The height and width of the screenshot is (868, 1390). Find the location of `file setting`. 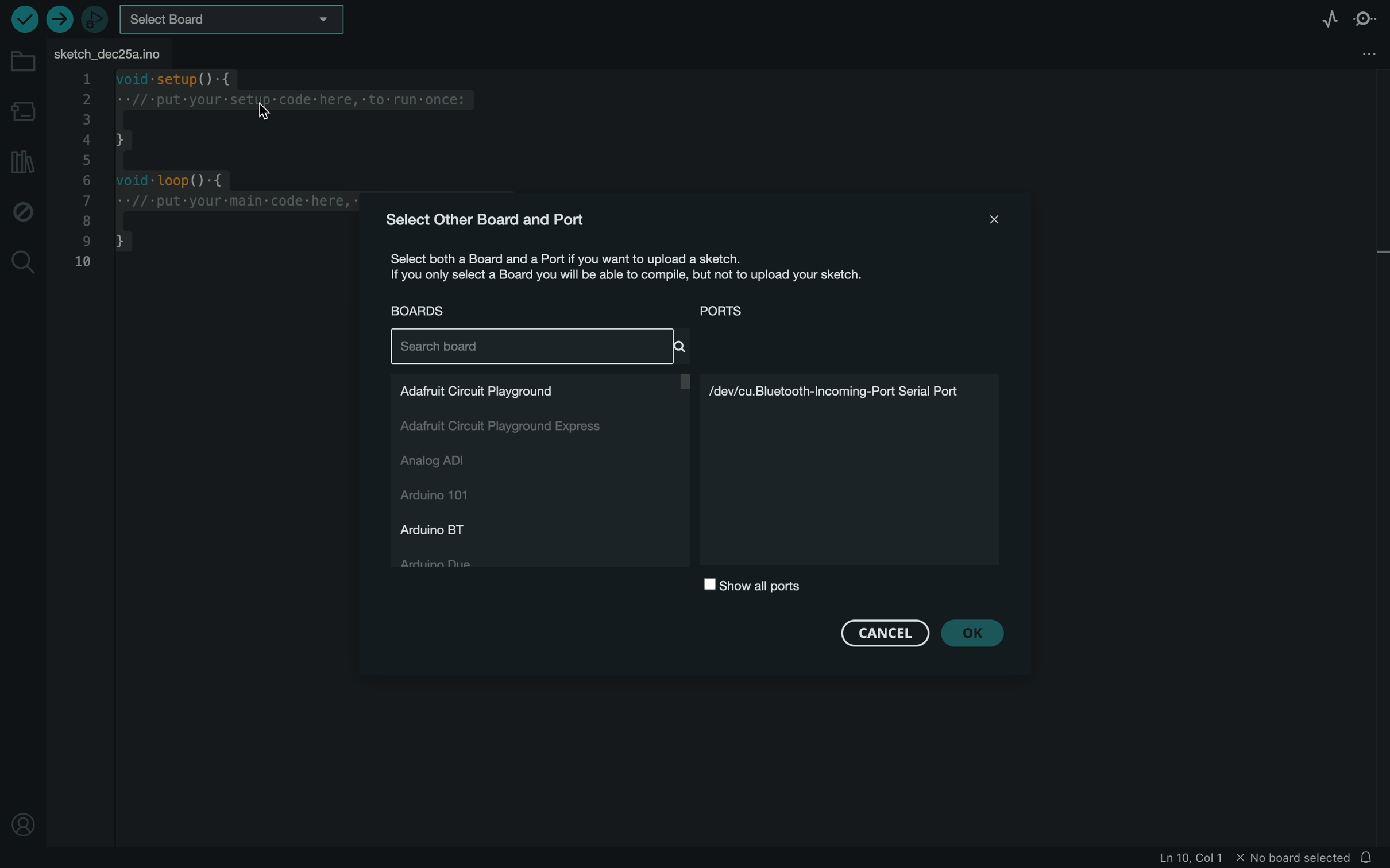

file setting is located at coordinates (1357, 54).